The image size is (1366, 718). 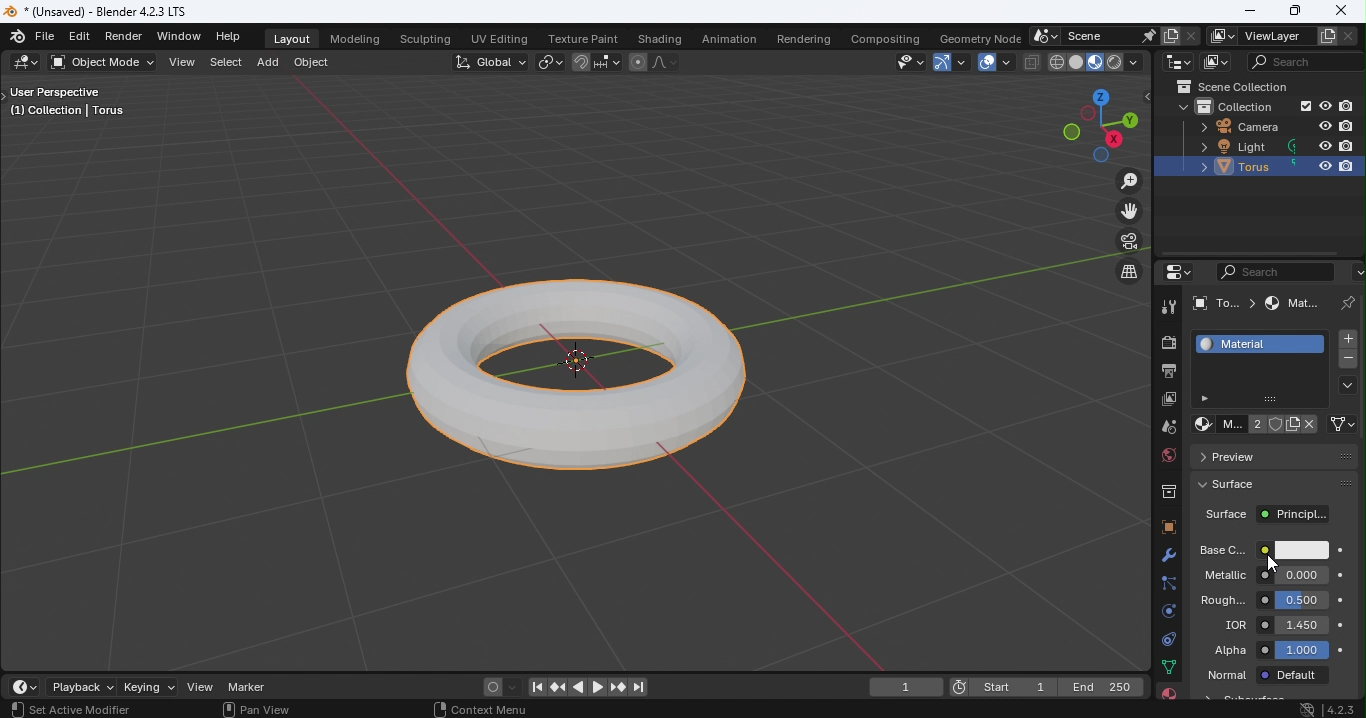 I want to click on Scene collection, so click(x=1226, y=87).